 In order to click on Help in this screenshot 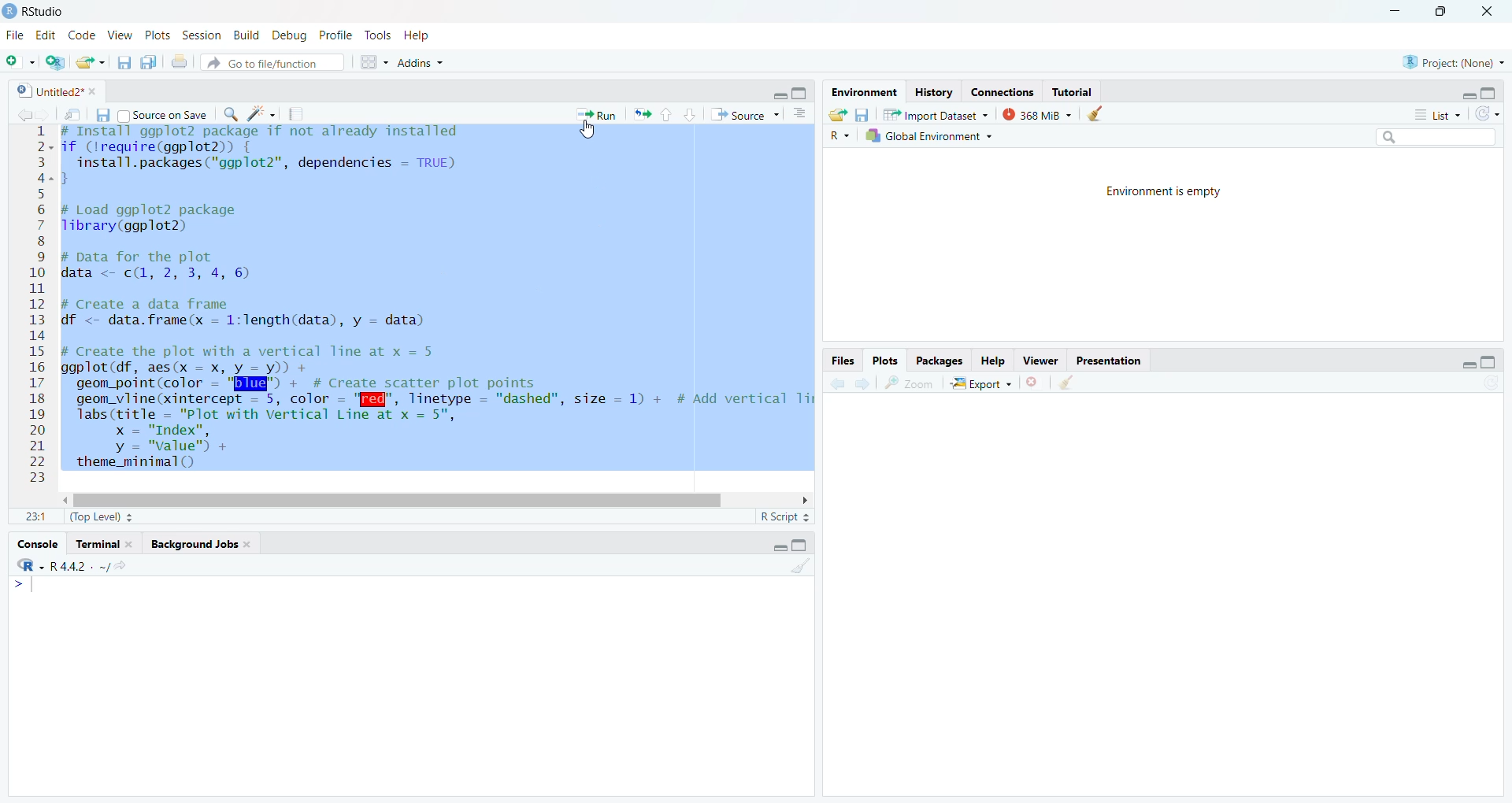, I will do `click(997, 361)`.